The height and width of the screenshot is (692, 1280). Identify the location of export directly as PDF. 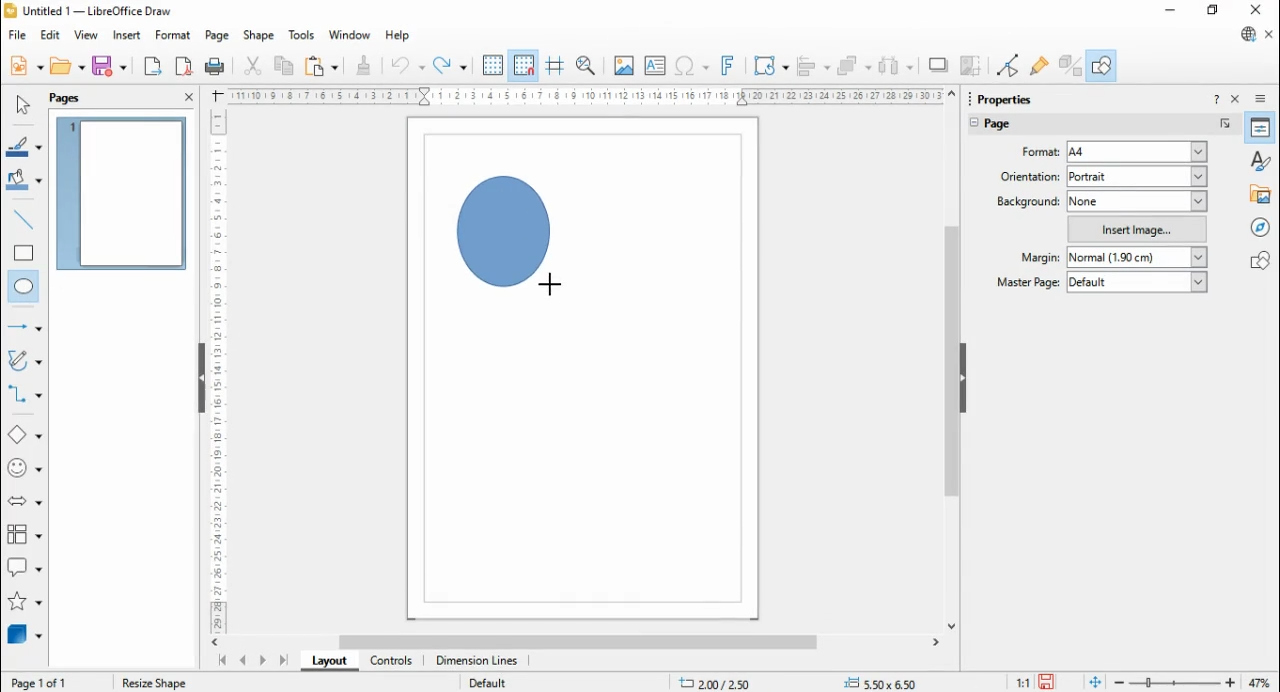
(183, 66).